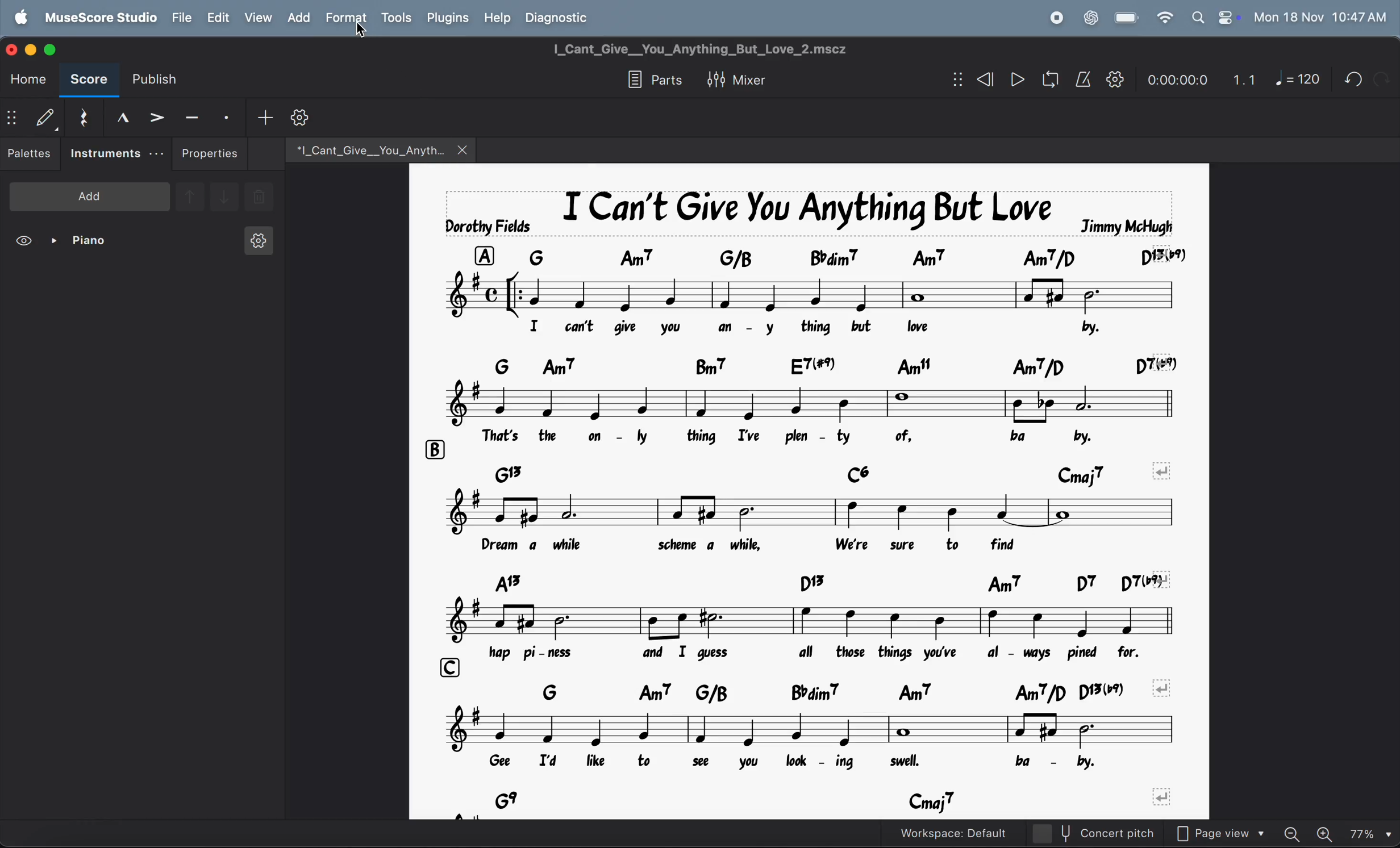  I want to click on plugins, so click(445, 18).